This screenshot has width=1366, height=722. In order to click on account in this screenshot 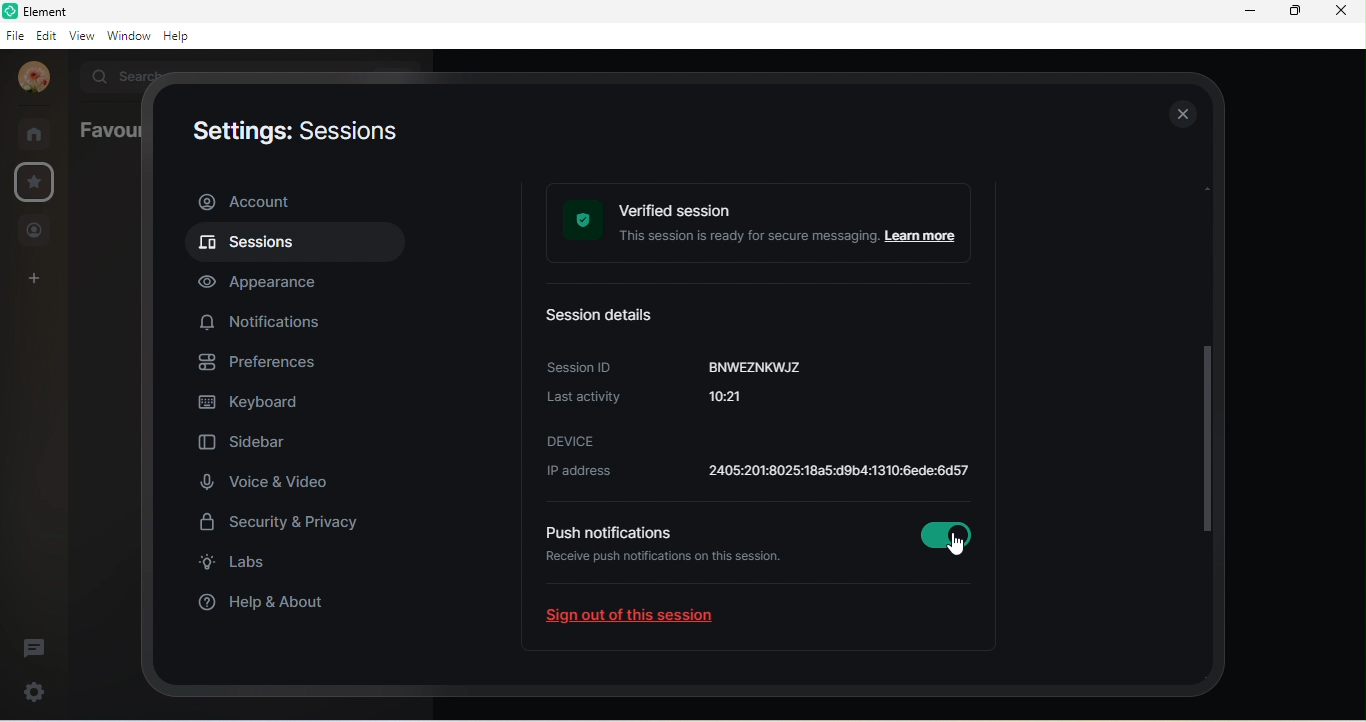, I will do `click(293, 201)`.